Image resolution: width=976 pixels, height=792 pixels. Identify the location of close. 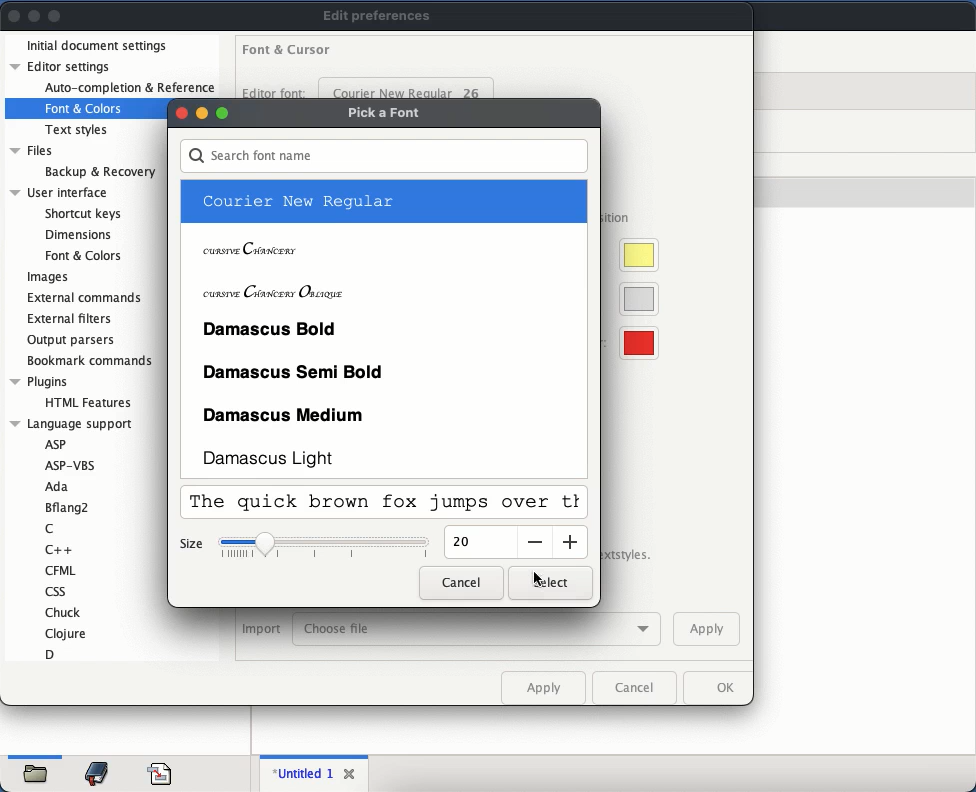
(179, 114).